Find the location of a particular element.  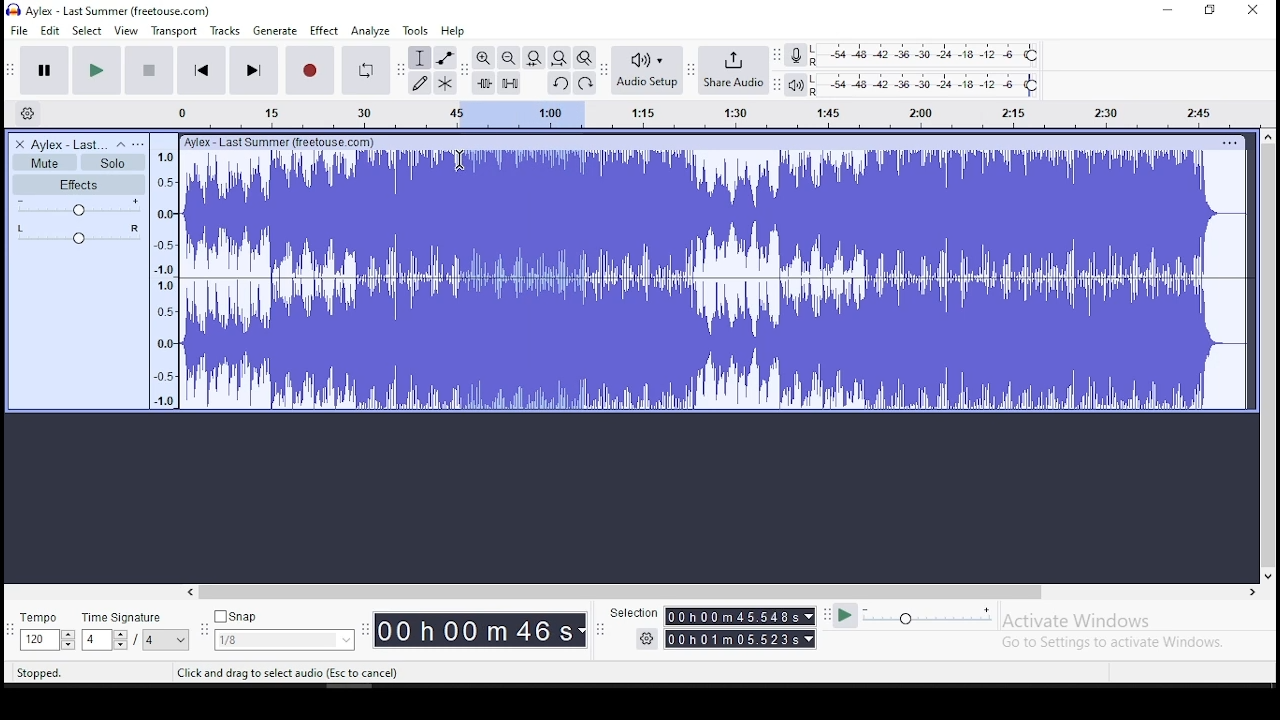

timeline is located at coordinates (698, 113).